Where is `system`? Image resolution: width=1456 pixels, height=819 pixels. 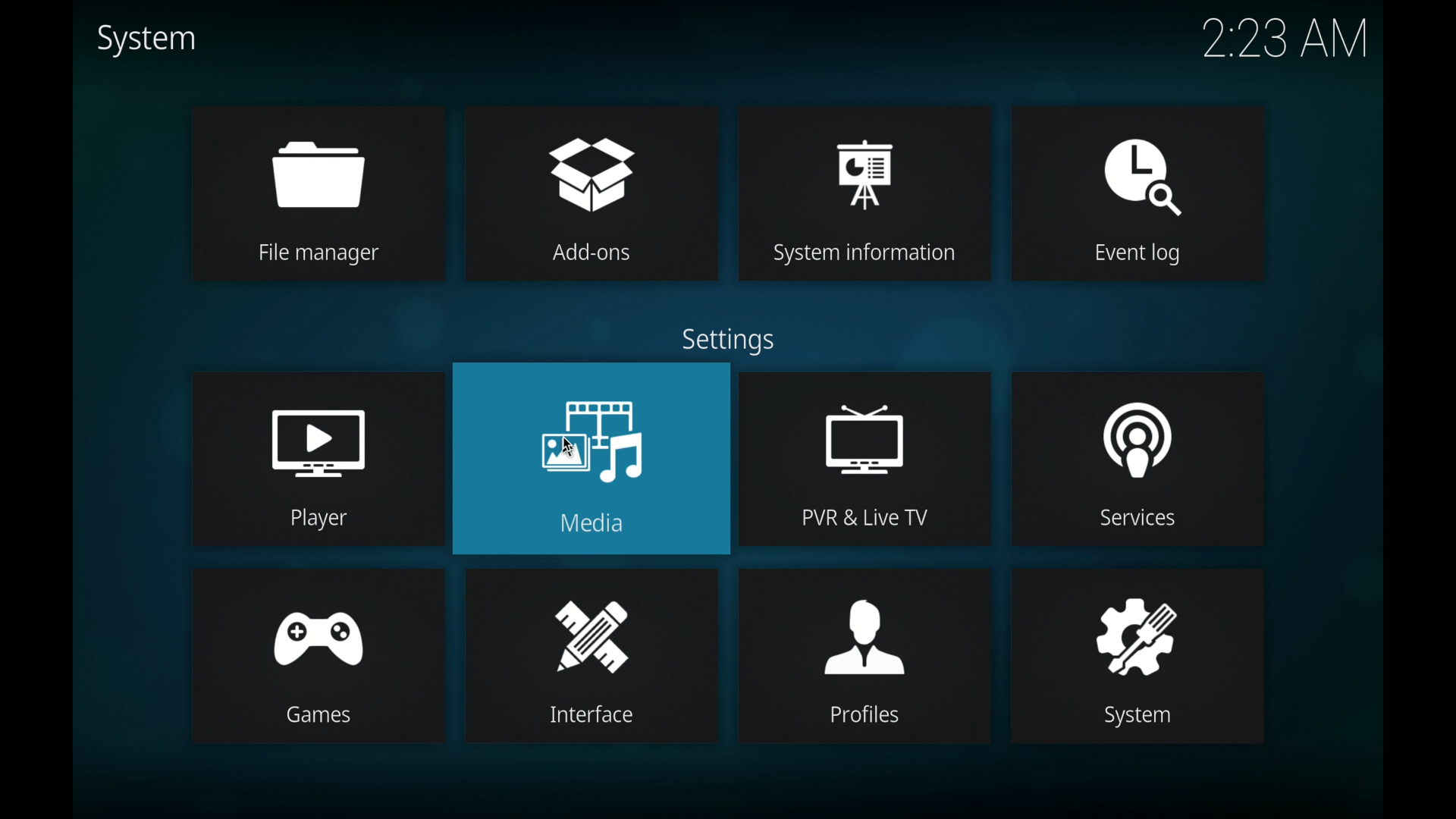 system is located at coordinates (1136, 621).